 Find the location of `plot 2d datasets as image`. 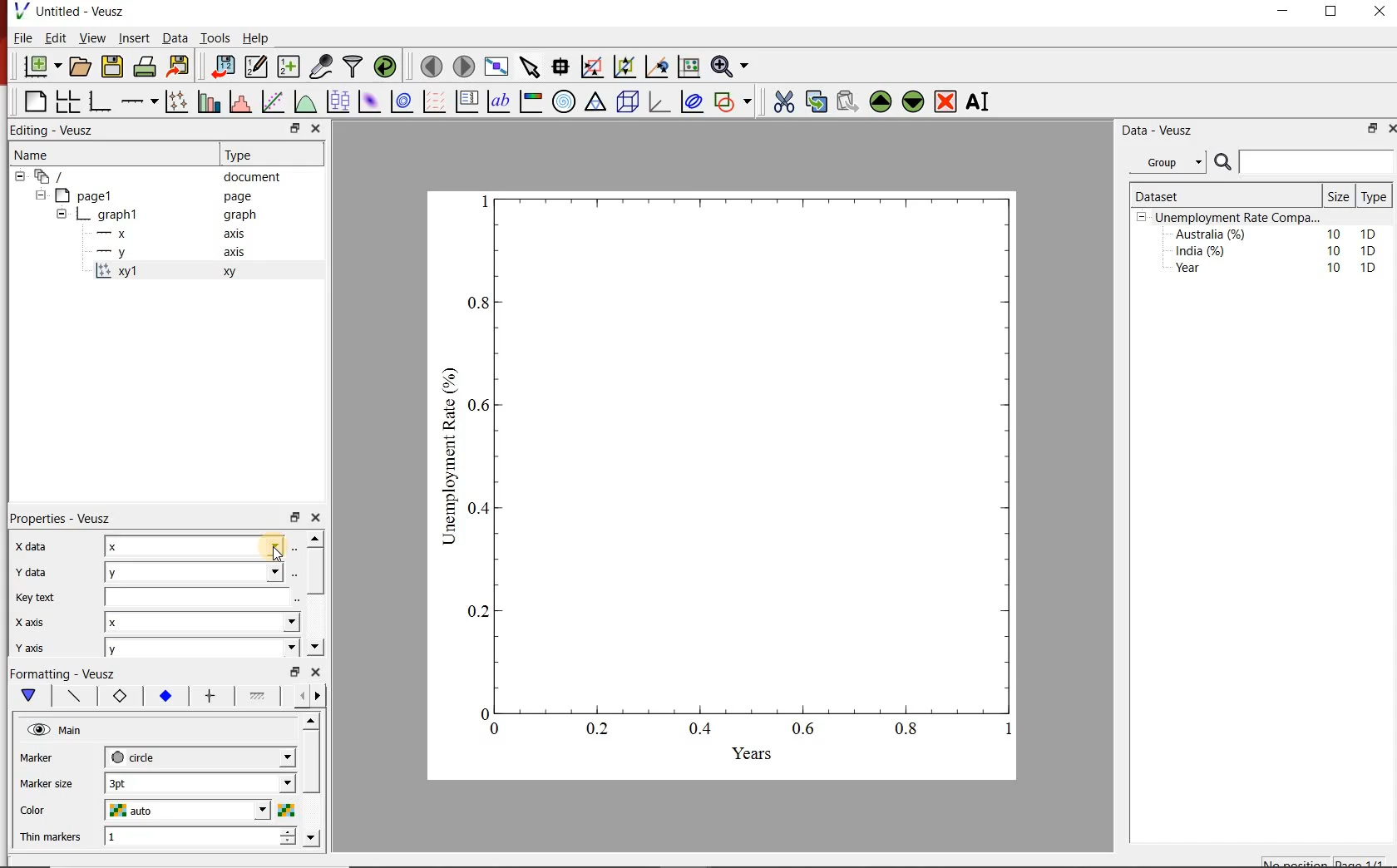

plot 2d datasets as image is located at coordinates (369, 101).